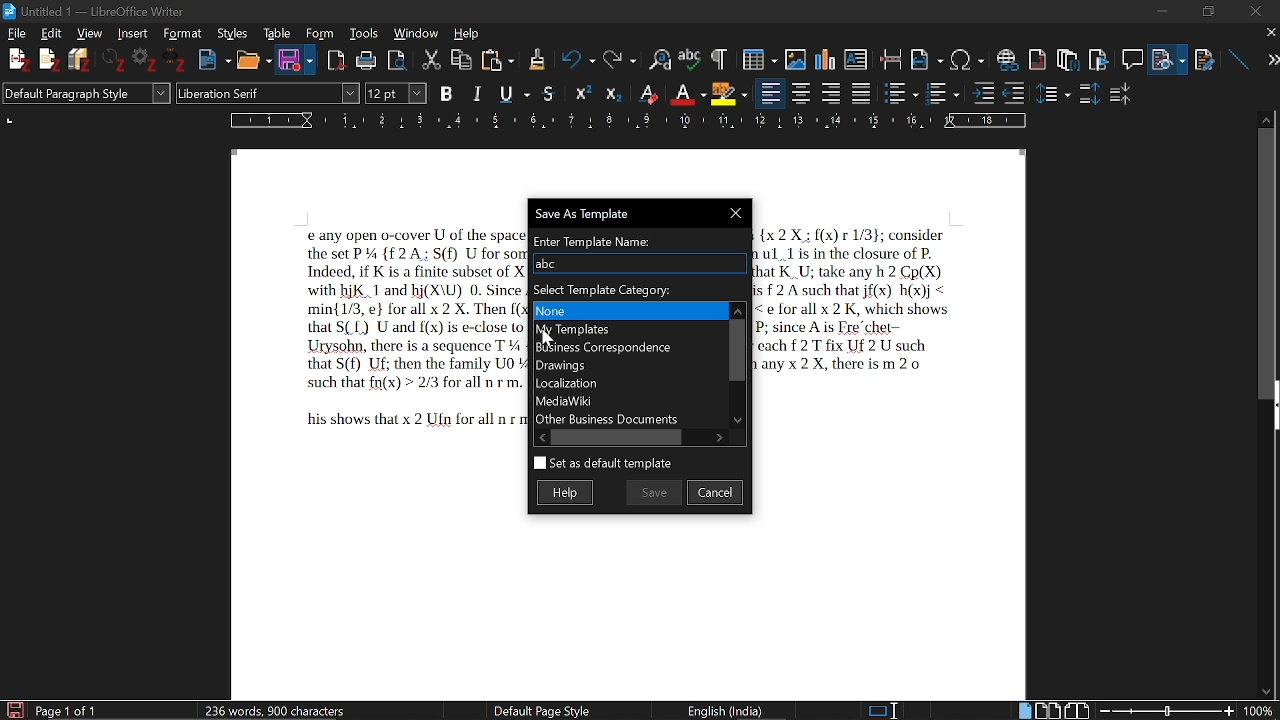  Describe the element at coordinates (863, 93) in the screenshot. I see `justified` at that location.